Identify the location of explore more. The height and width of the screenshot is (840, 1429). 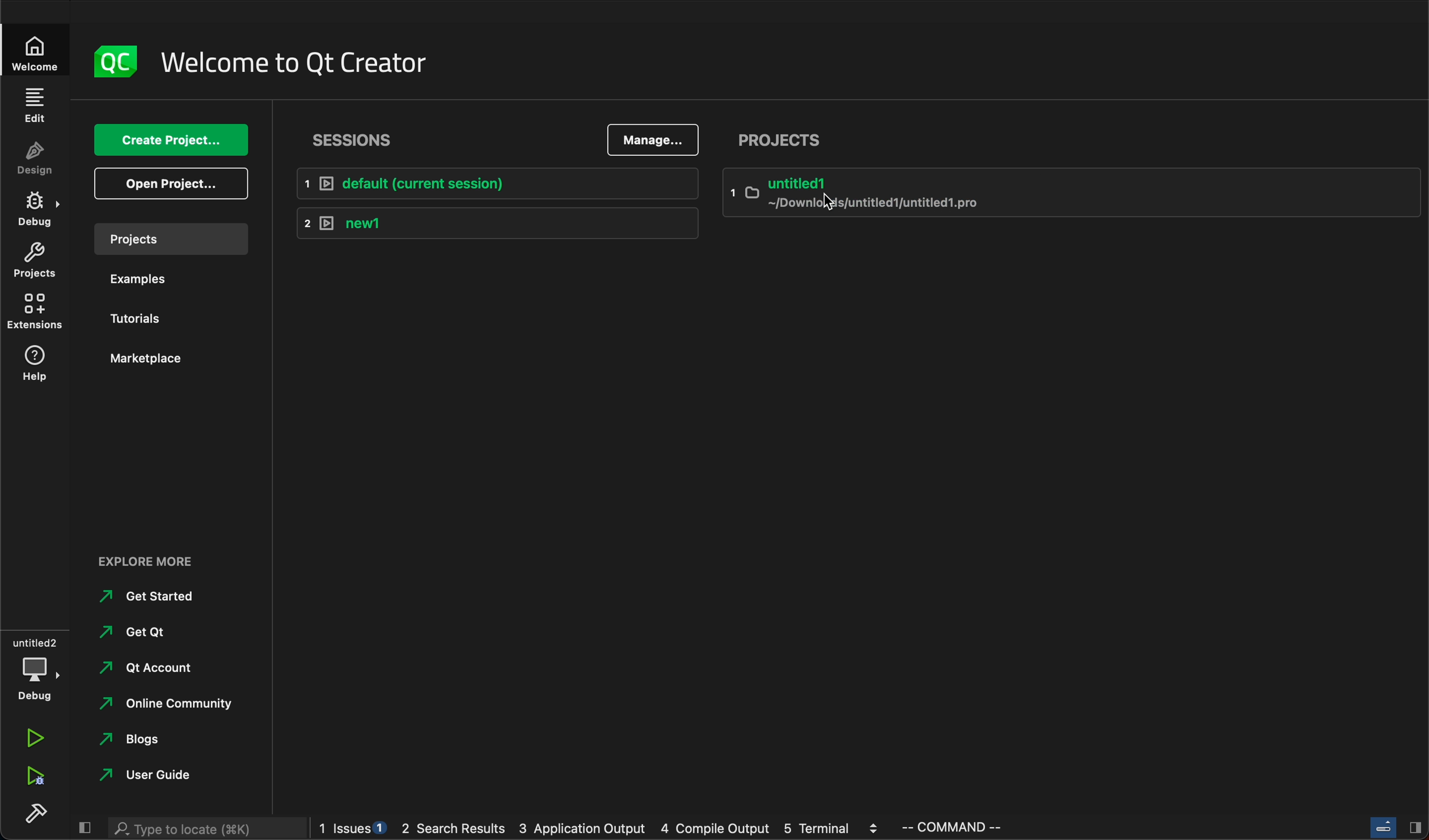
(149, 565).